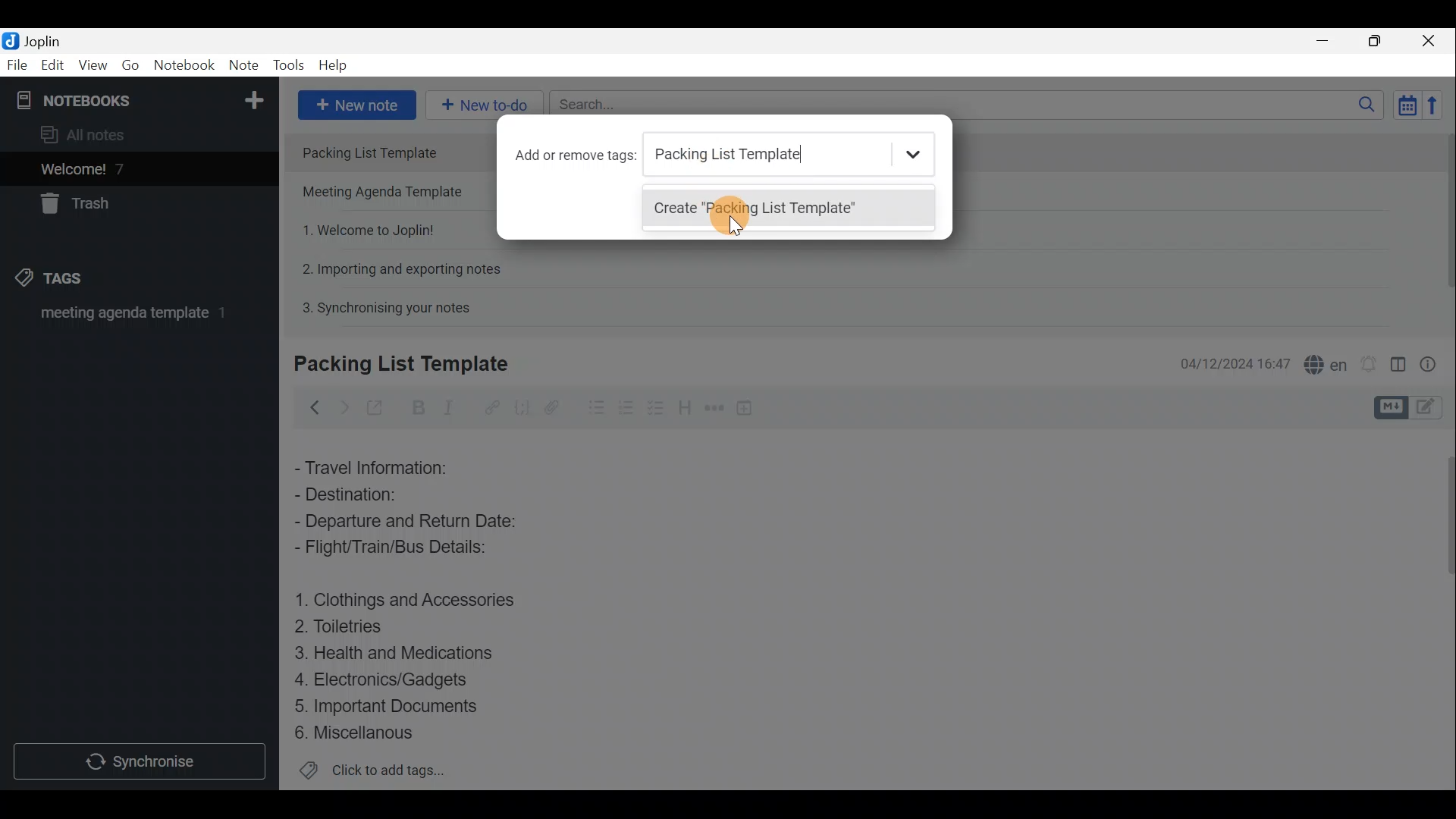  Describe the element at coordinates (485, 105) in the screenshot. I see `New to-do` at that location.